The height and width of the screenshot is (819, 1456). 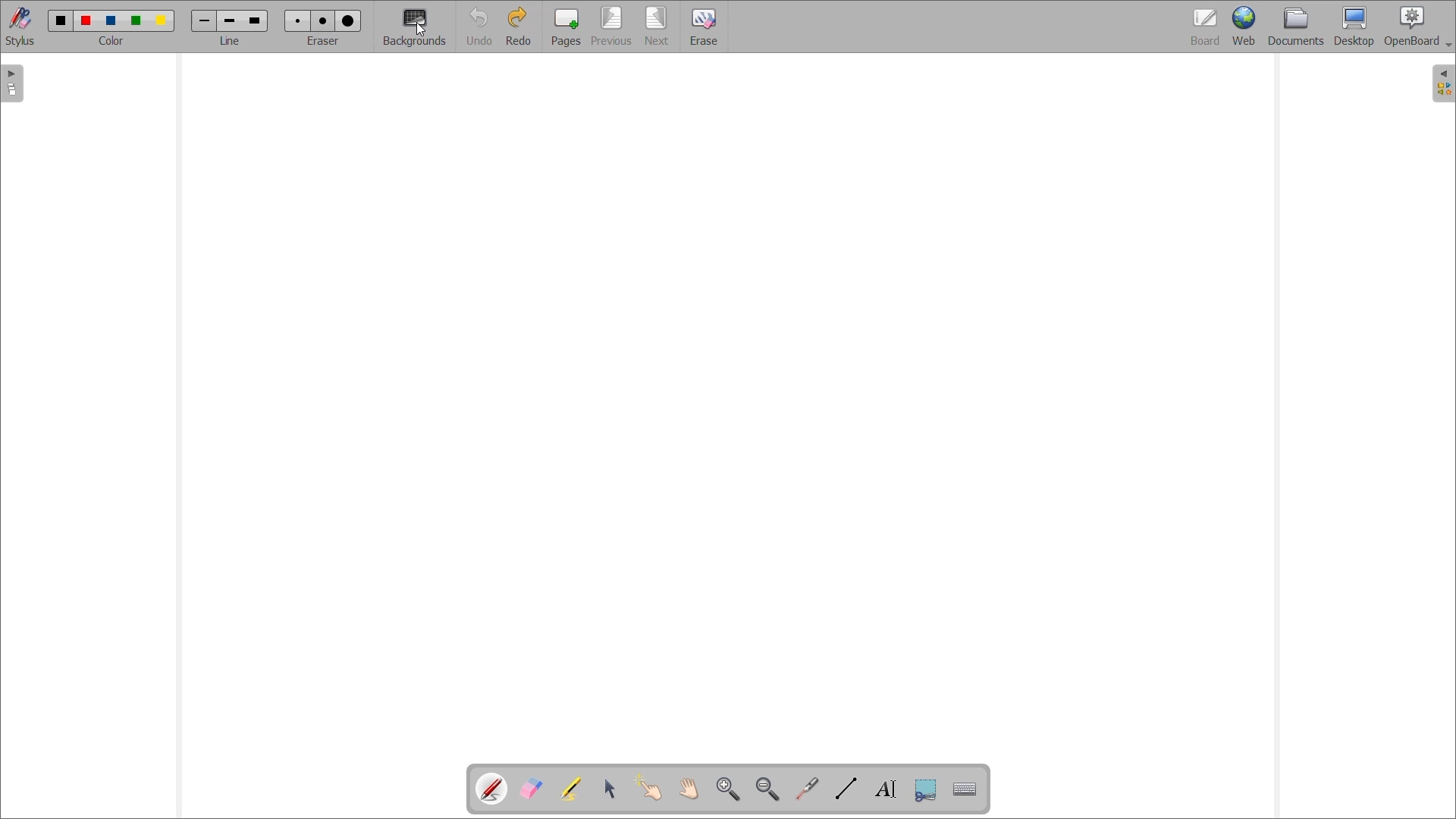 I want to click on Expand left sidebar, so click(x=11, y=84).